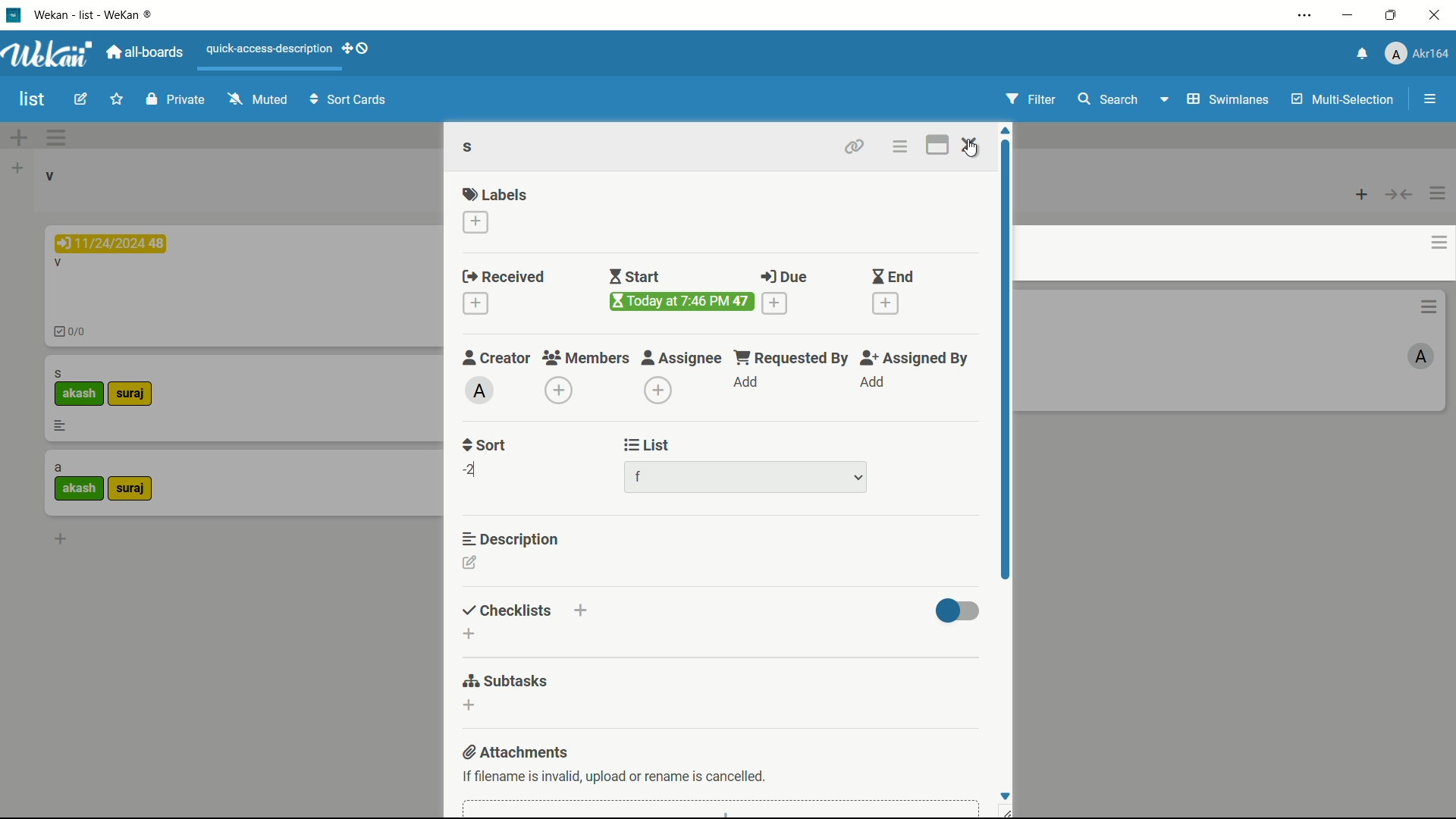  What do you see at coordinates (130, 490) in the screenshot?
I see `label-2` at bounding box center [130, 490].